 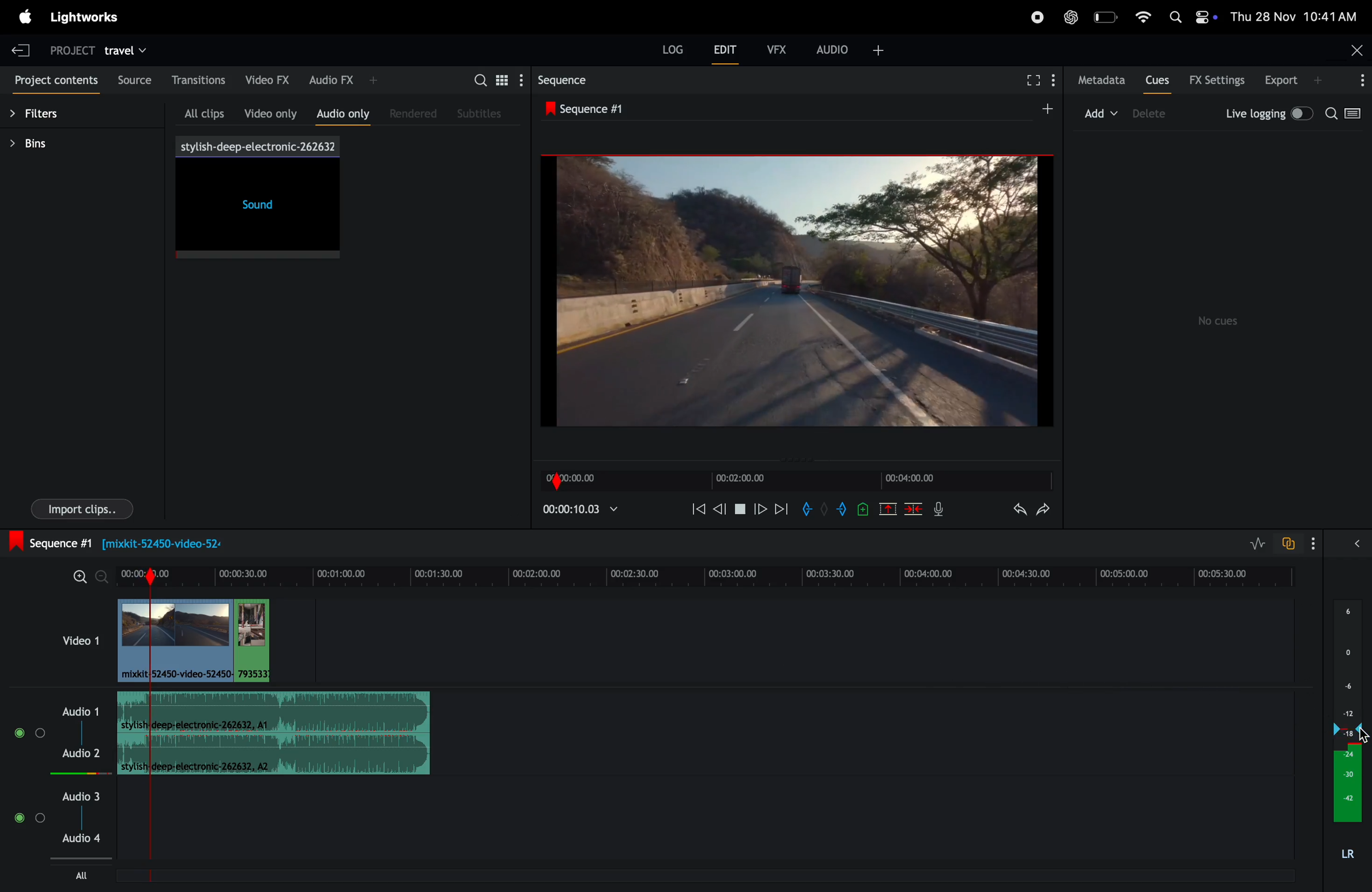 What do you see at coordinates (583, 478) in the screenshot?
I see `time` at bounding box center [583, 478].